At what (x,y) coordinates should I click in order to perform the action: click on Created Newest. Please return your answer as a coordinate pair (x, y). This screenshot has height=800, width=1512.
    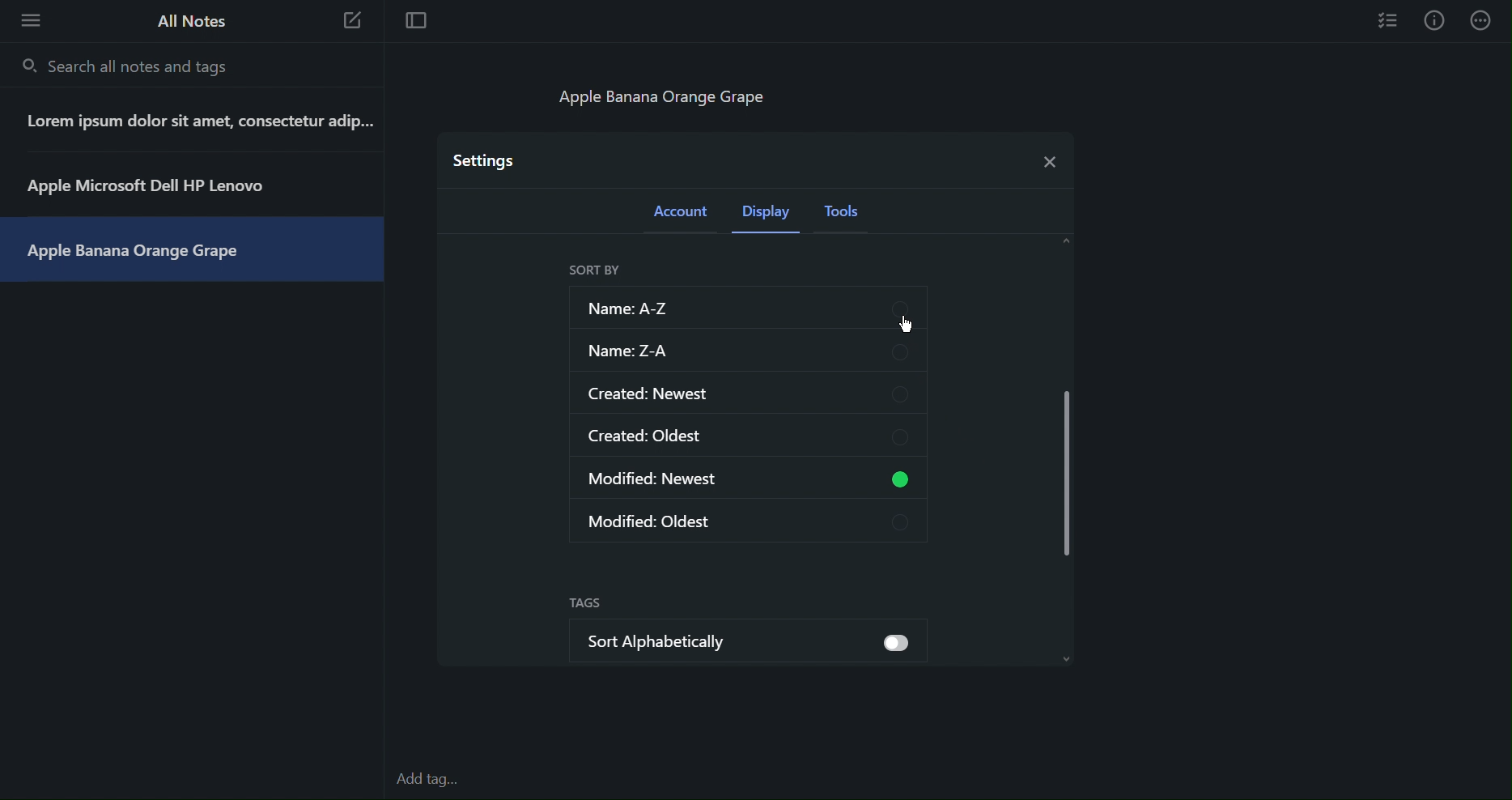
    Looking at the image, I should click on (747, 391).